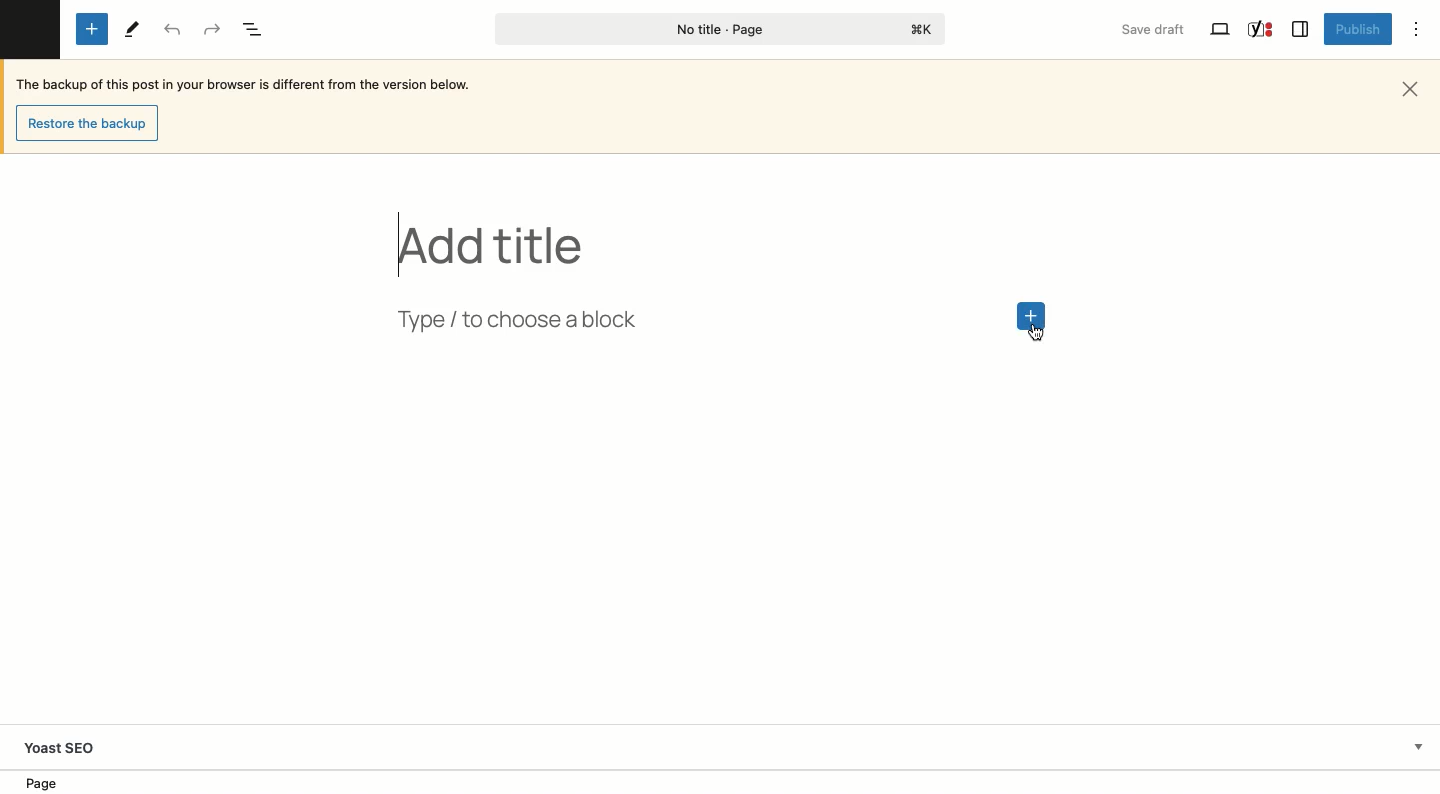  What do you see at coordinates (1218, 31) in the screenshot?
I see `View` at bounding box center [1218, 31].